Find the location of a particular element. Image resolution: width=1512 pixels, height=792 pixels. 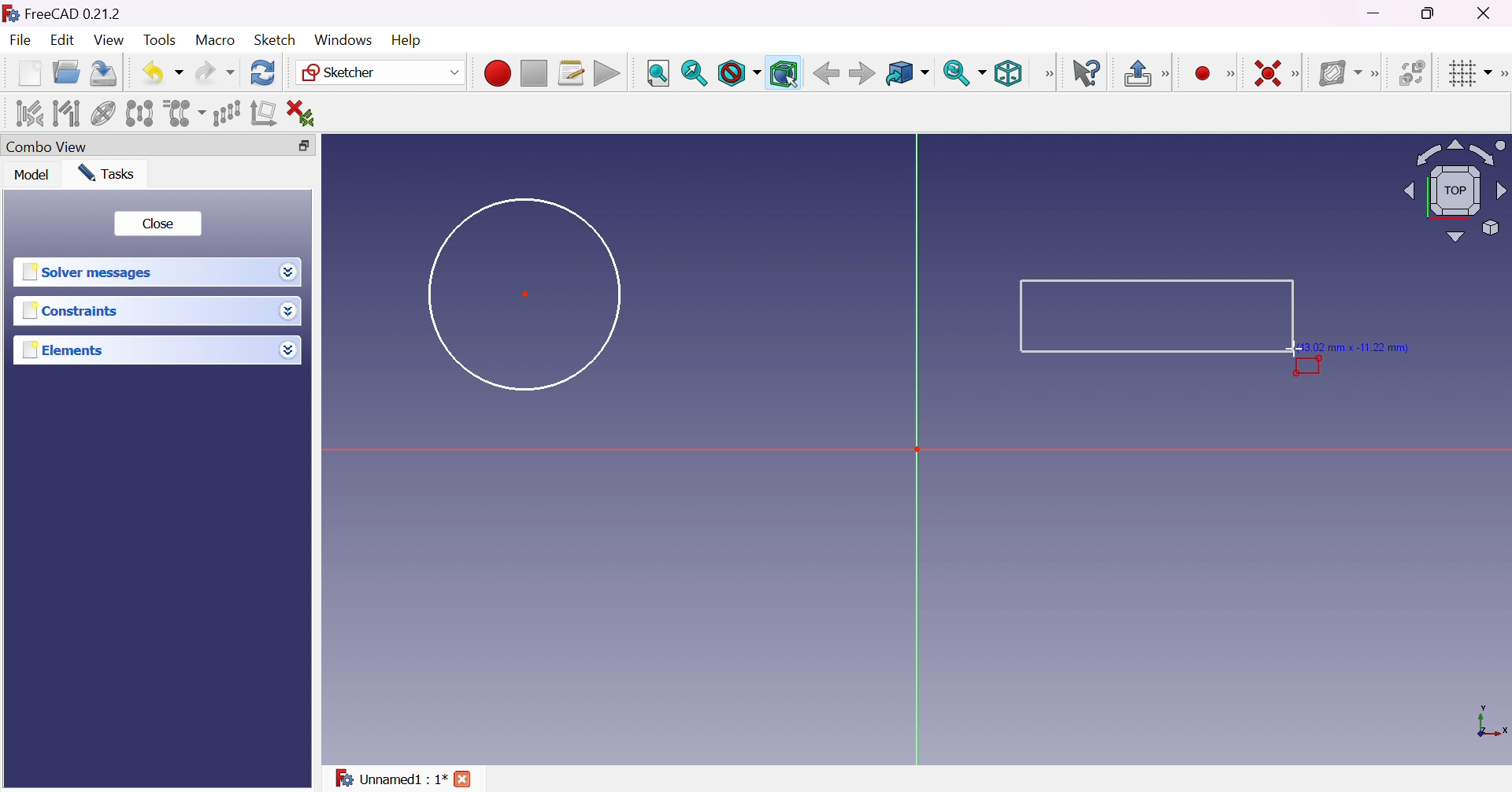

Isometric is located at coordinates (1007, 75).